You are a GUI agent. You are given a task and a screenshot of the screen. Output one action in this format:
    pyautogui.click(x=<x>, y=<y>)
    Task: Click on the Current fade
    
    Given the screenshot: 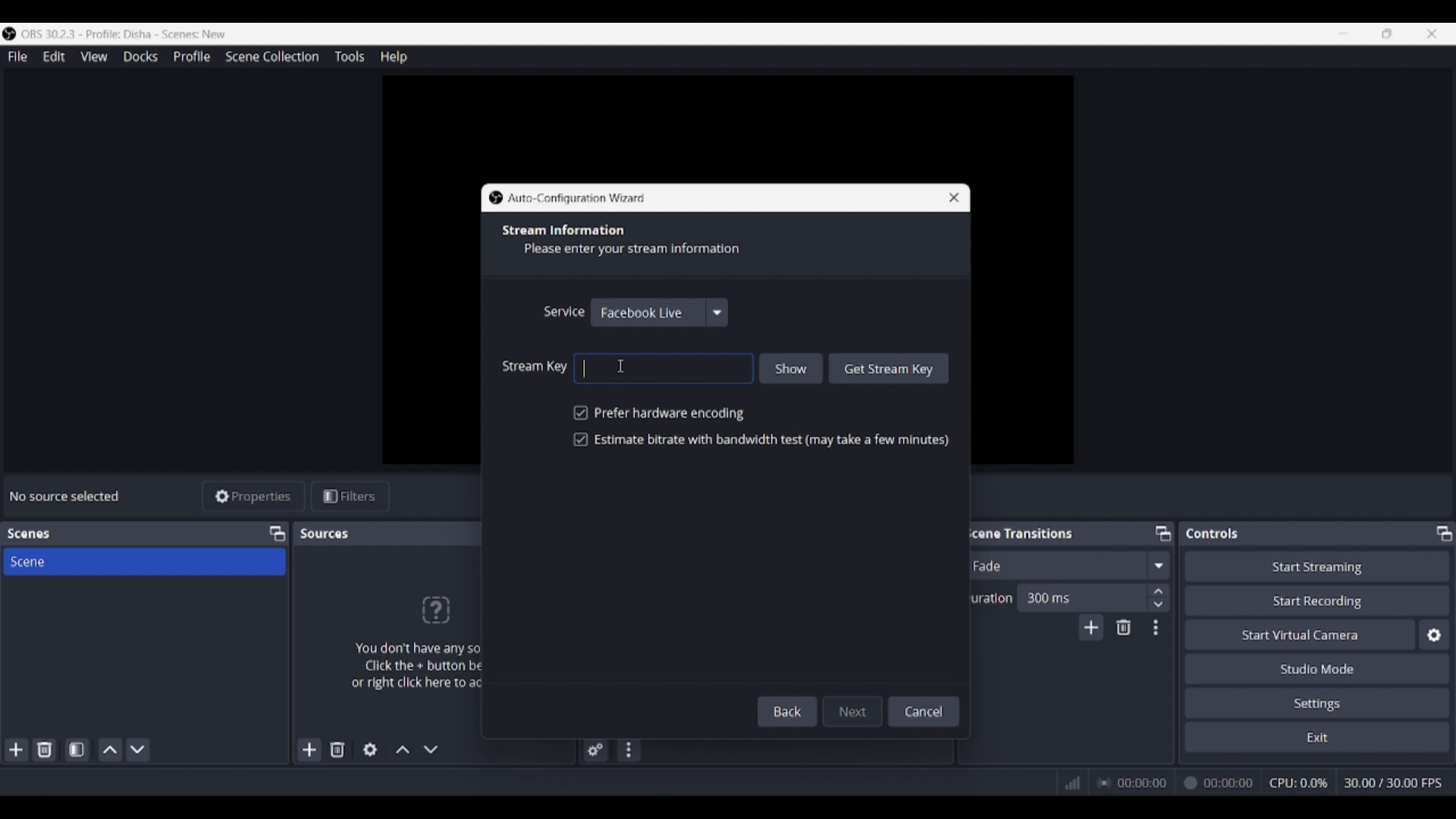 What is the action you would take?
    pyautogui.click(x=1053, y=565)
    